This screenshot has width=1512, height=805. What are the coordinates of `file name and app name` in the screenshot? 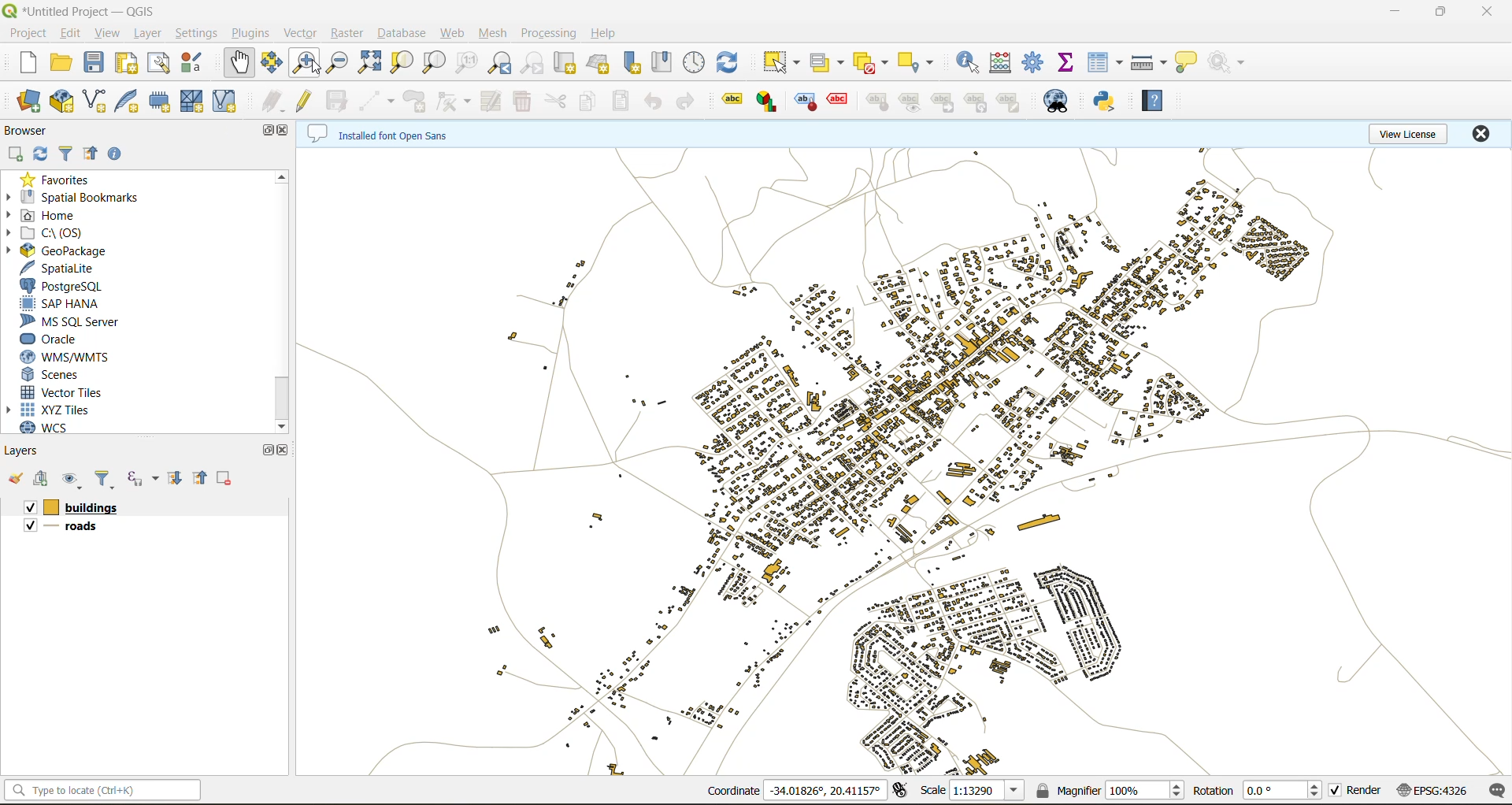 It's located at (84, 9).